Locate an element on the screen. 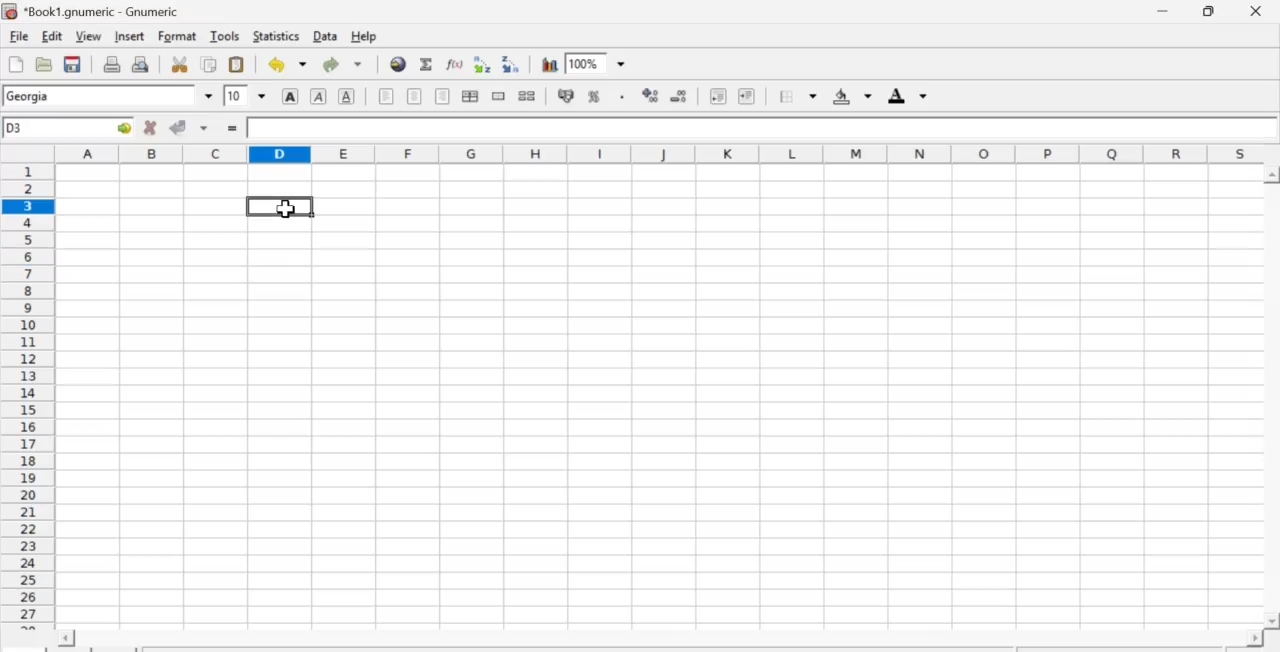  Print is located at coordinates (110, 64).